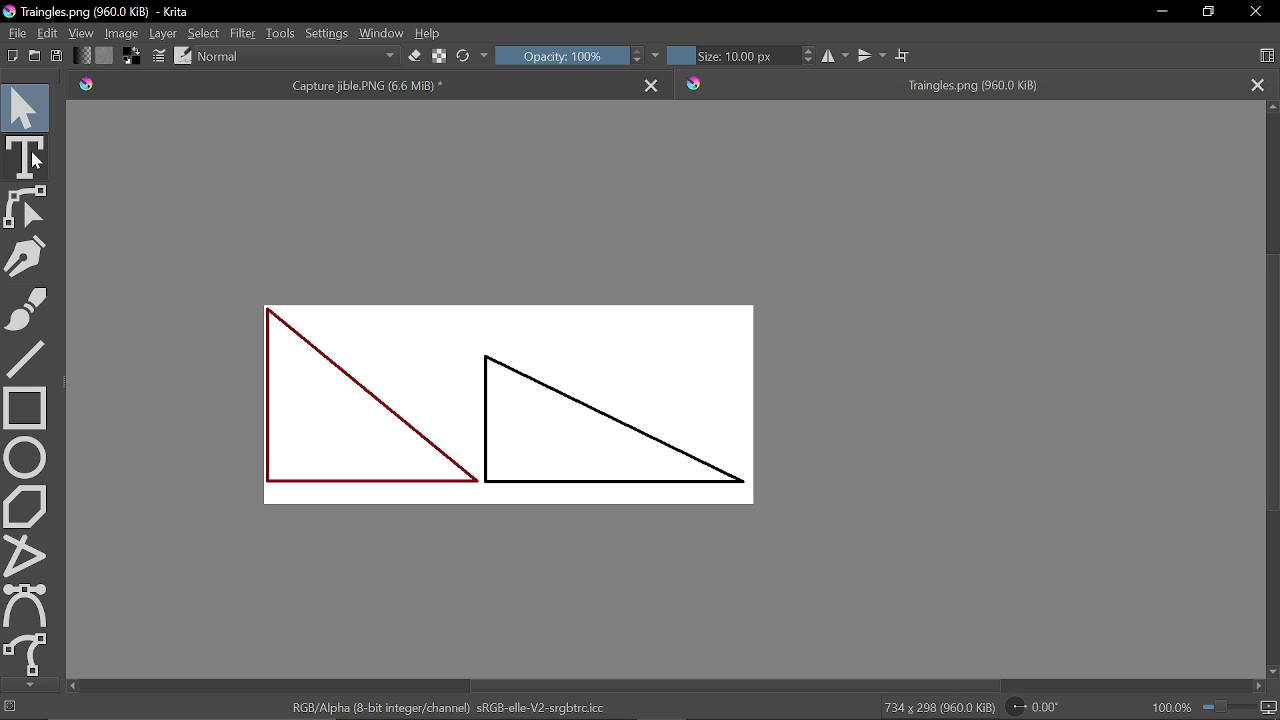  Describe the element at coordinates (27, 685) in the screenshot. I see `Move down in tools` at that location.